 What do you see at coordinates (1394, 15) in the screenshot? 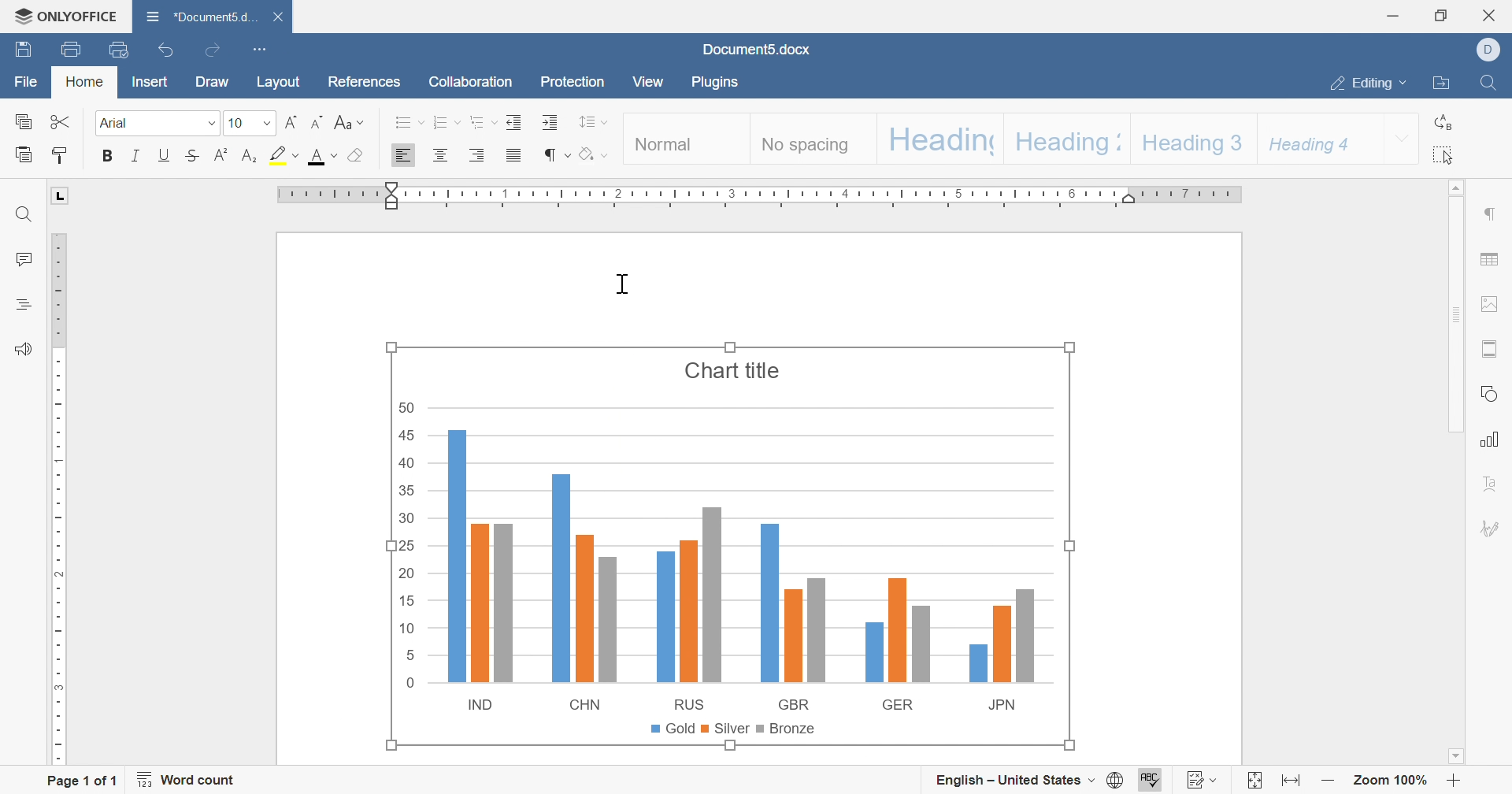
I see `minimize` at bounding box center [1394, 15].